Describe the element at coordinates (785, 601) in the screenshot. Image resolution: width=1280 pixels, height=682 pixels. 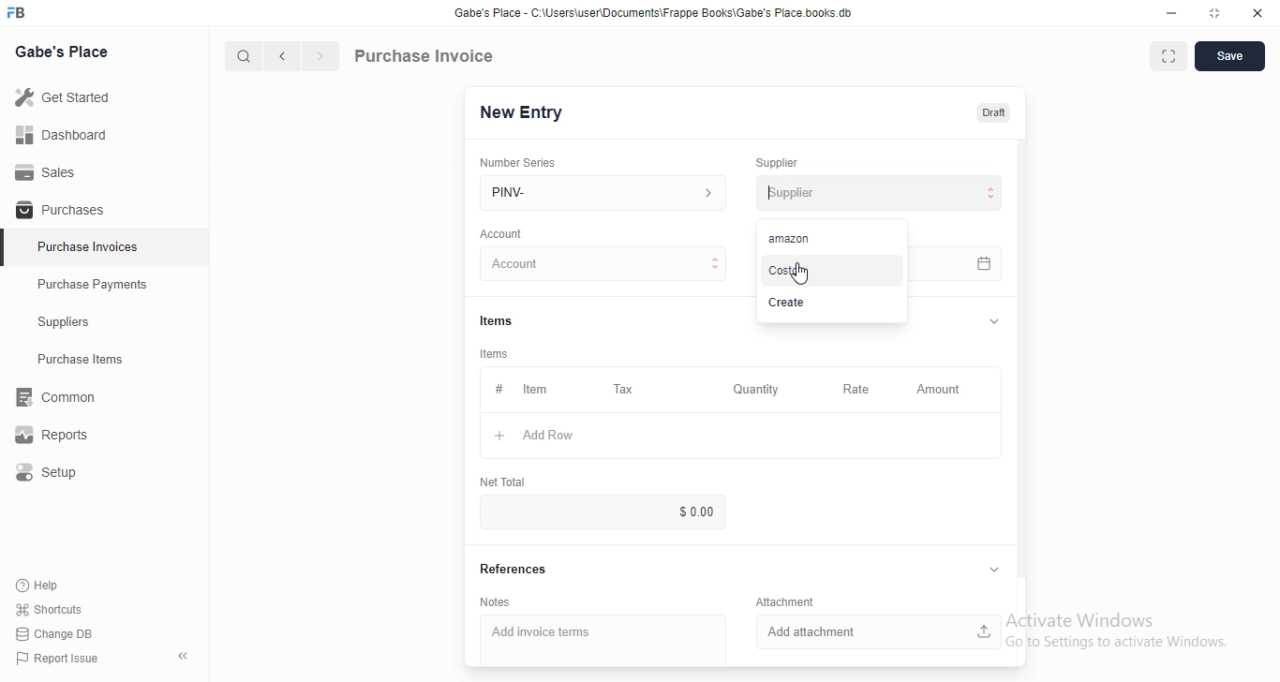
I see `Attachment` at that location.